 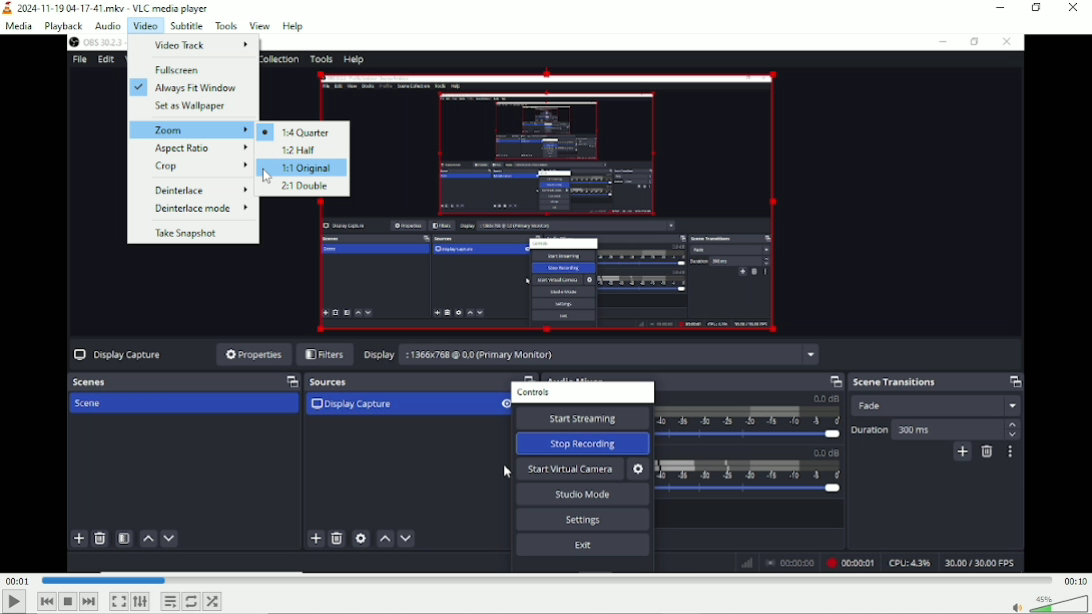 What do you see at coordinates (201, 167) in the screenshot?
I see `Crop` at bounding box center [201, 167].